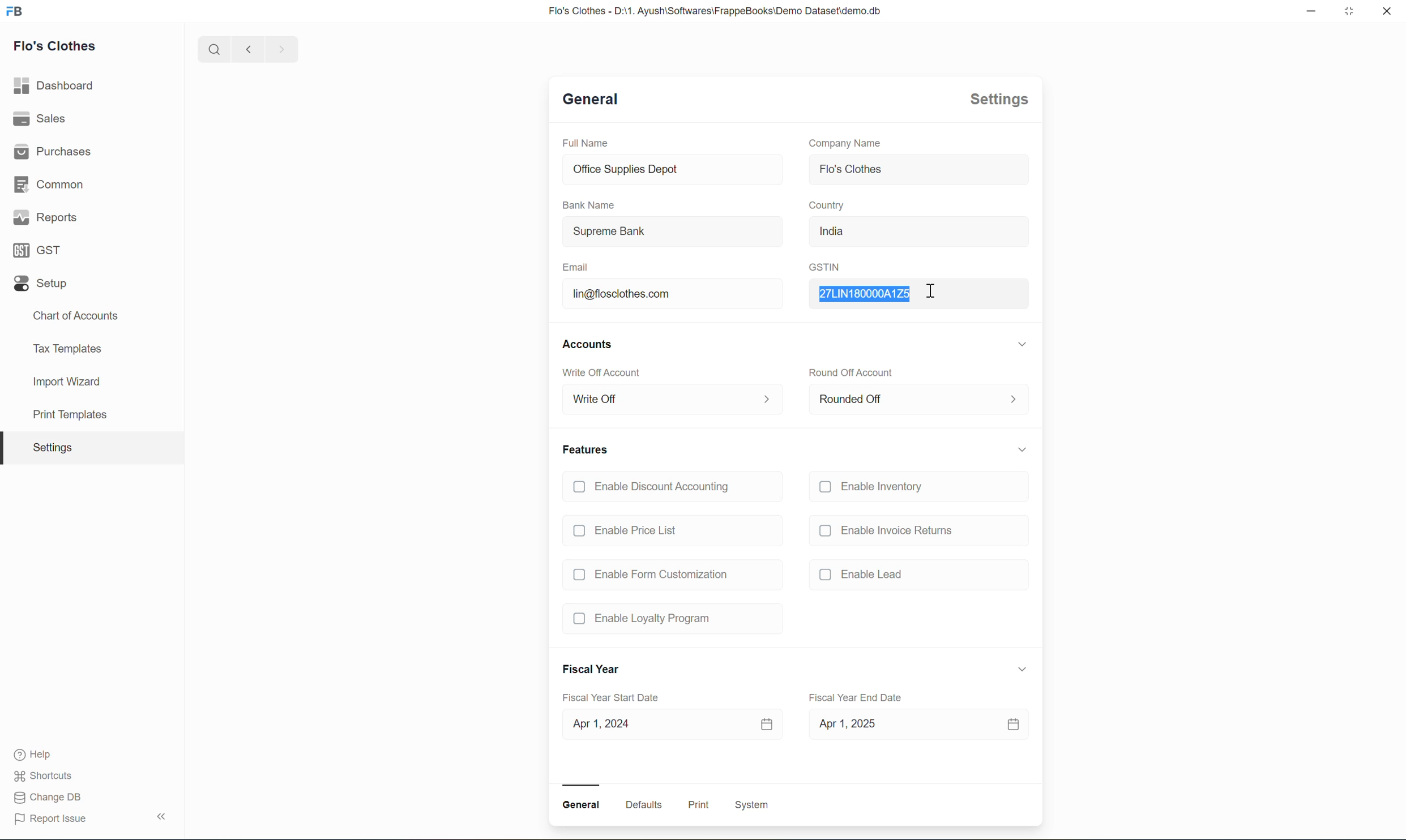 Image resolution: width=1406 pixels, height=840 pixels. I want to click on Sales, so click(43, 119).